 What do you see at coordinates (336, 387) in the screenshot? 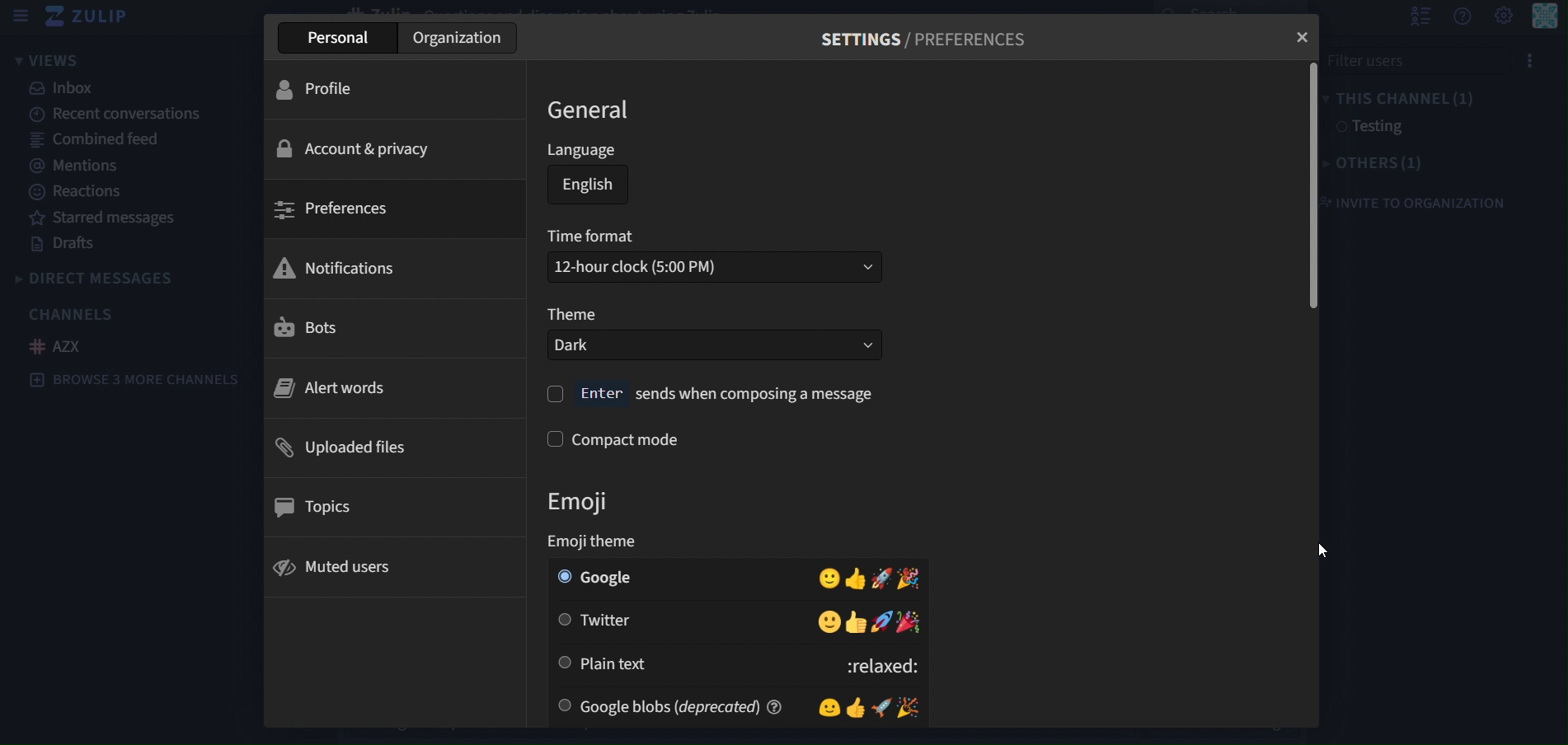
I see `alert words` at bounding box center [336, 387].